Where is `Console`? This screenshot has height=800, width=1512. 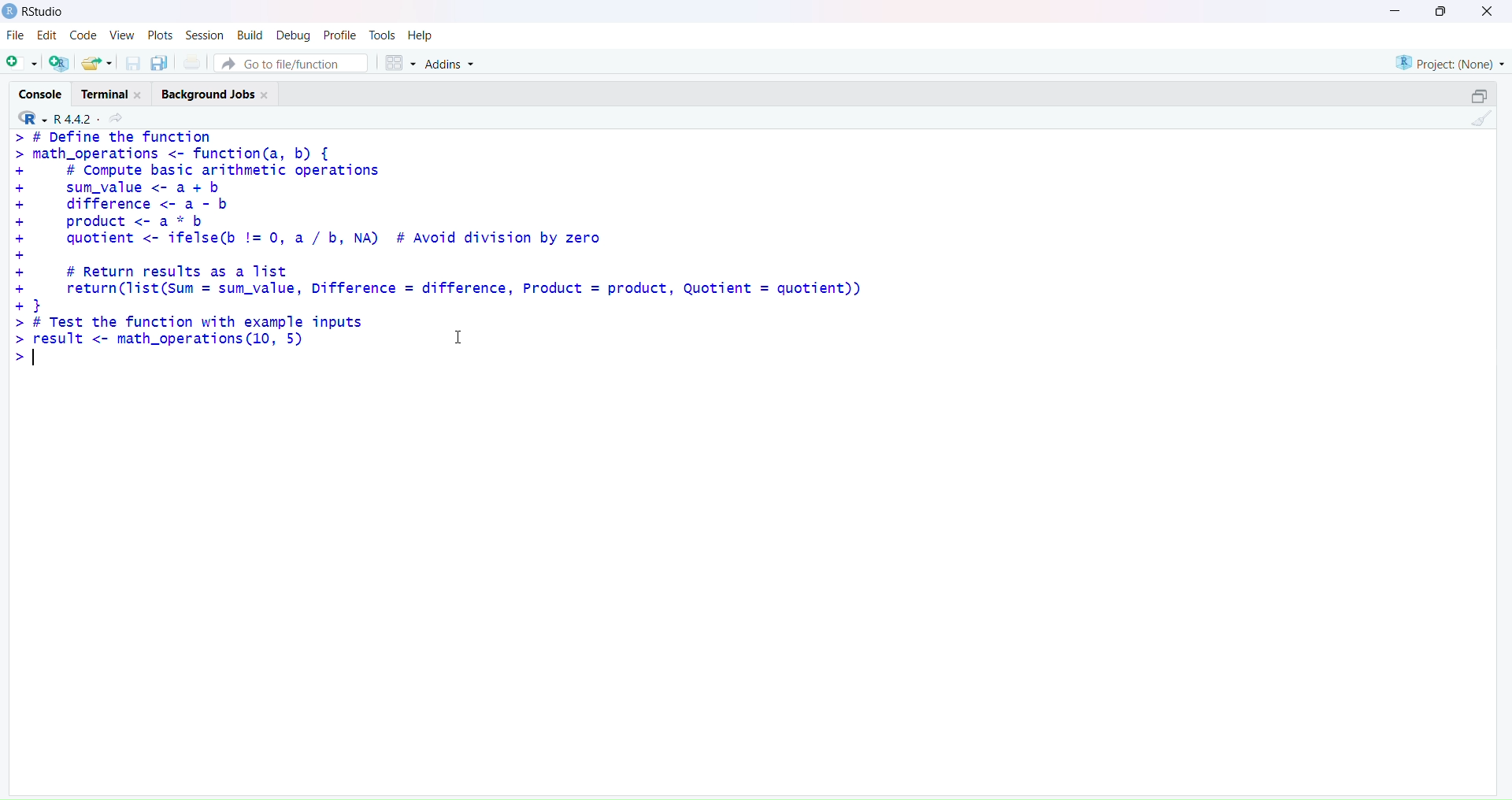
Console is located at coordinates (40, 94).